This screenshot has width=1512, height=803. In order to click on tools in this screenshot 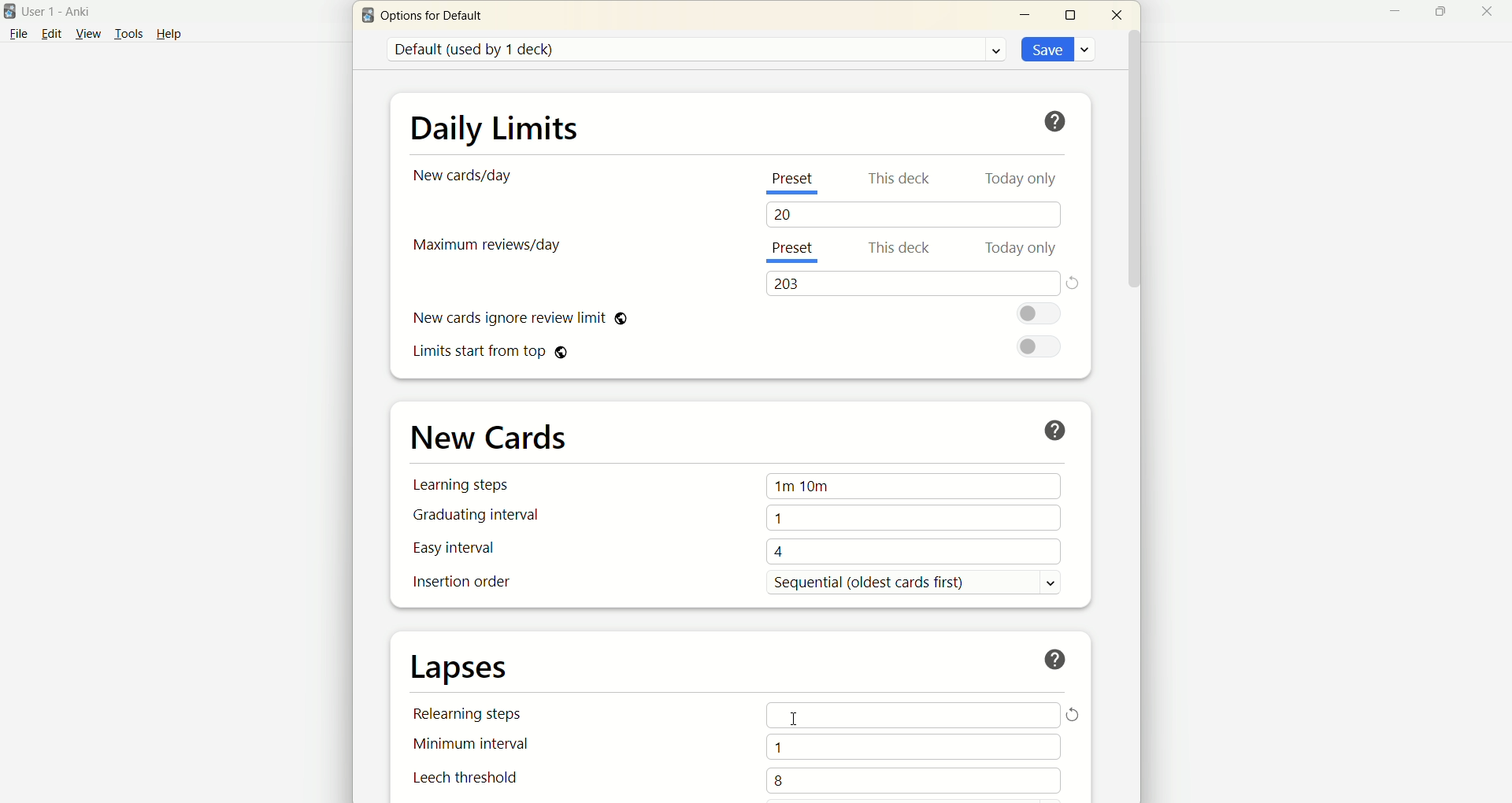, I will do `click(128, 34)`.